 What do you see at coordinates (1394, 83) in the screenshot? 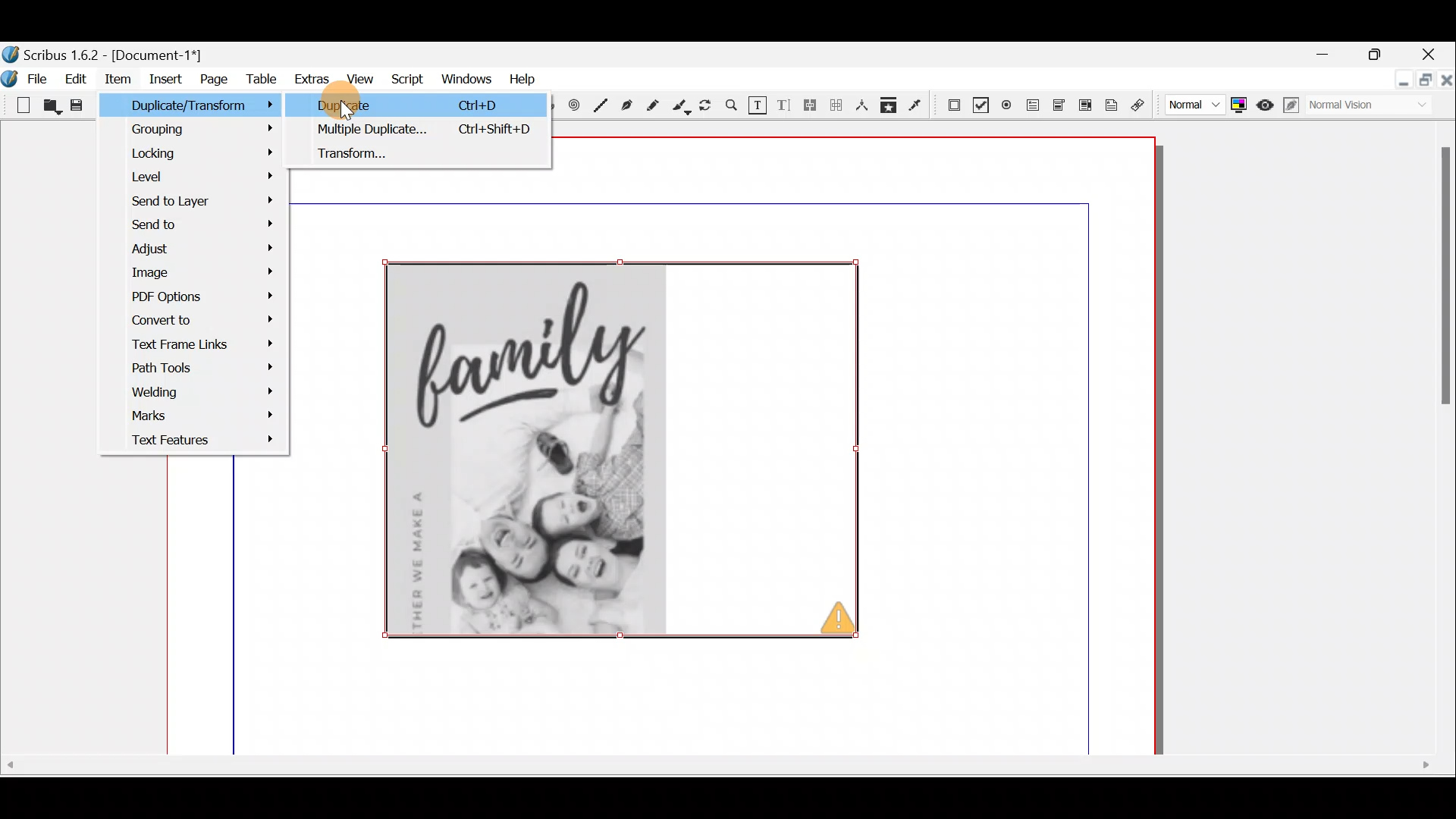
I see `Minimise` at bounding box center [1394, 83].